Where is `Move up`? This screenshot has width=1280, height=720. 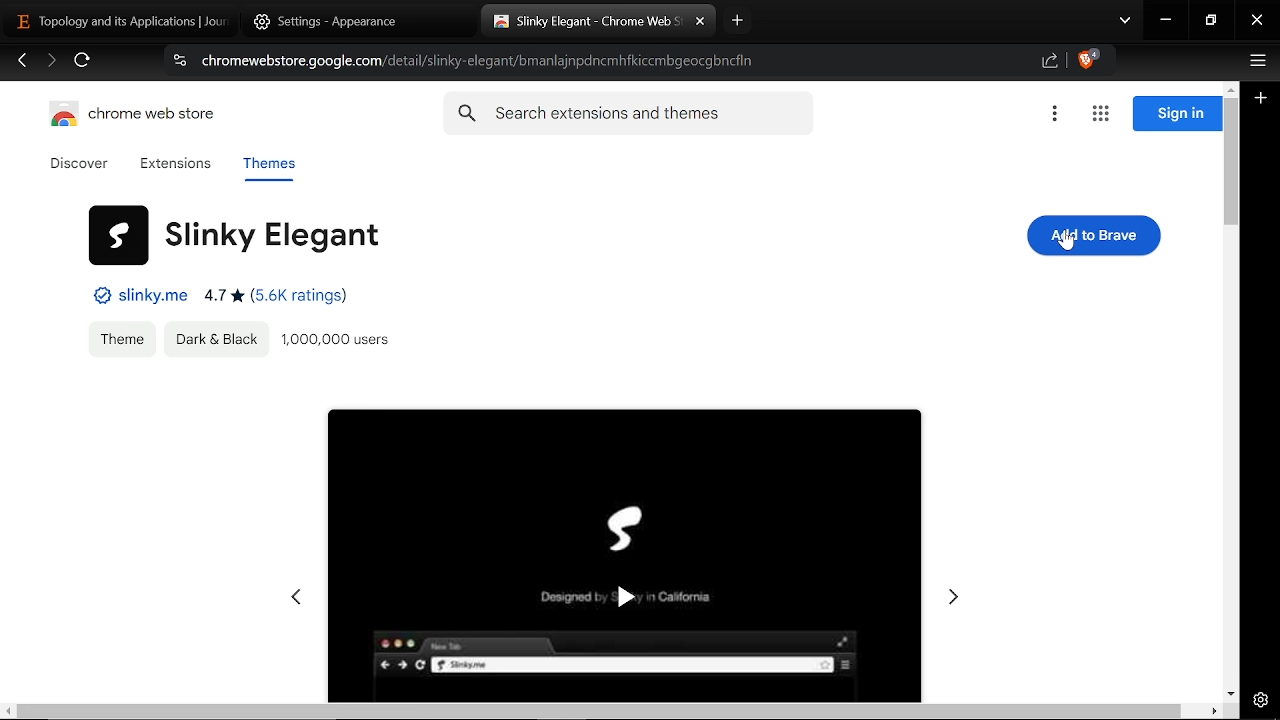
Move up is located at coordinates (1230, 87).